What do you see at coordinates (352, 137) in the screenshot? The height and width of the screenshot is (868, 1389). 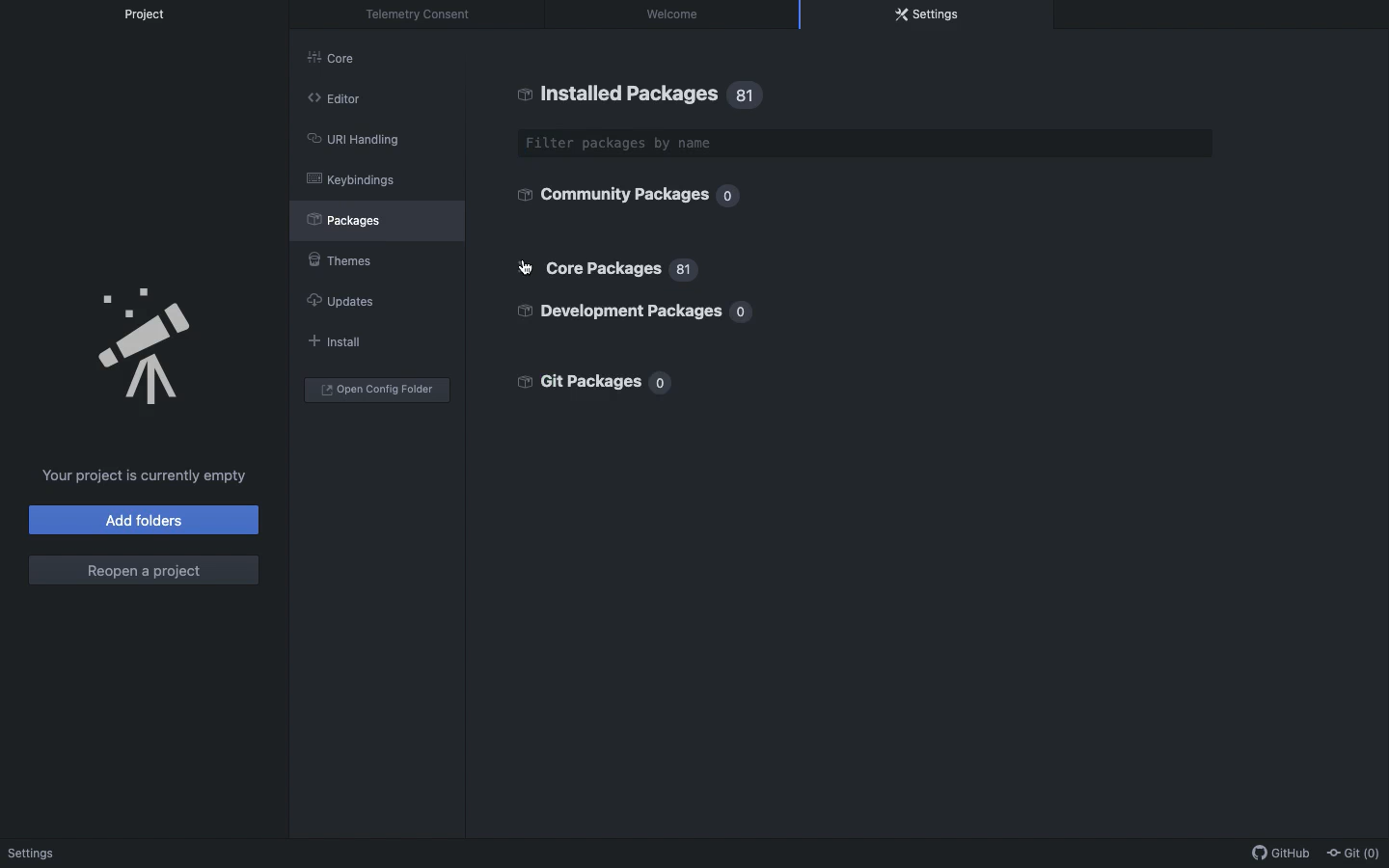 I see `URL handling` at bounding box center [352, 137].